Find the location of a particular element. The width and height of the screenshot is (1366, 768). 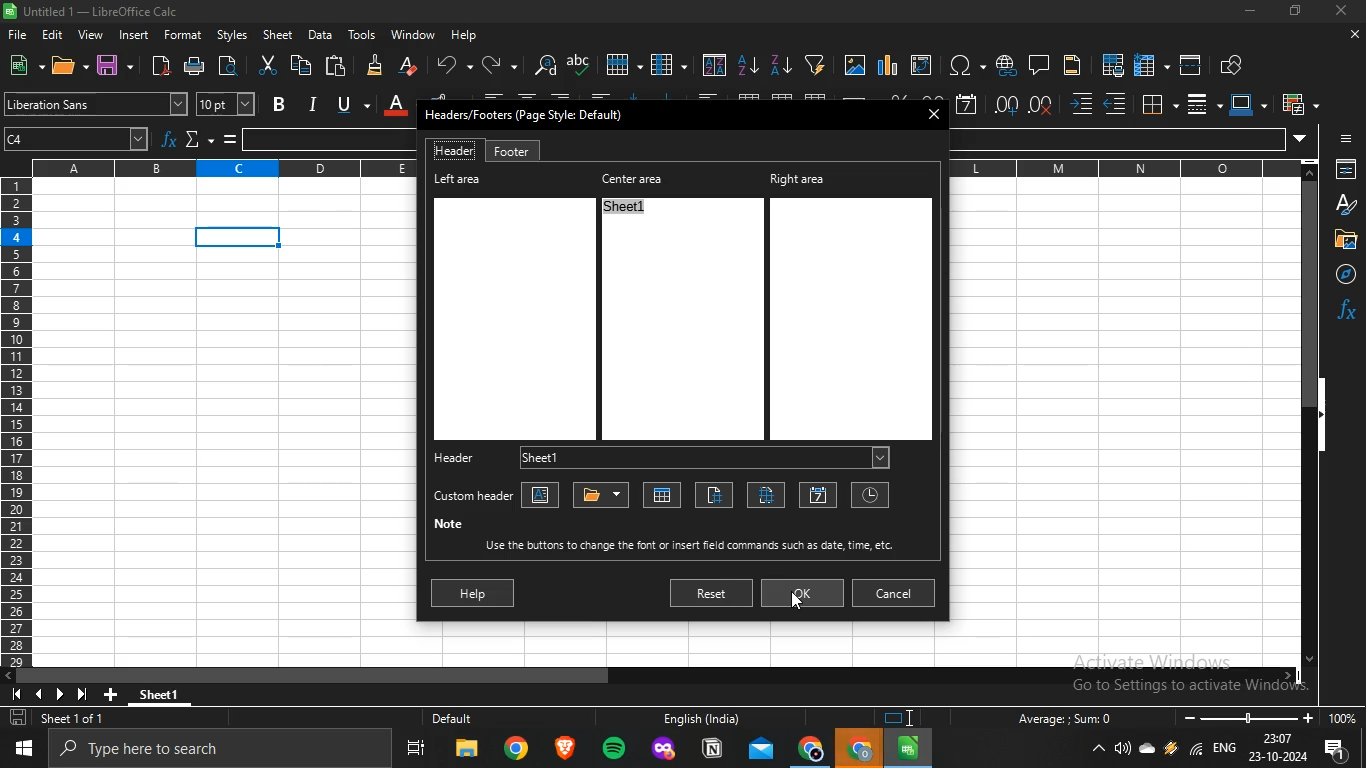

spotify is located at coordinates (614, 750).